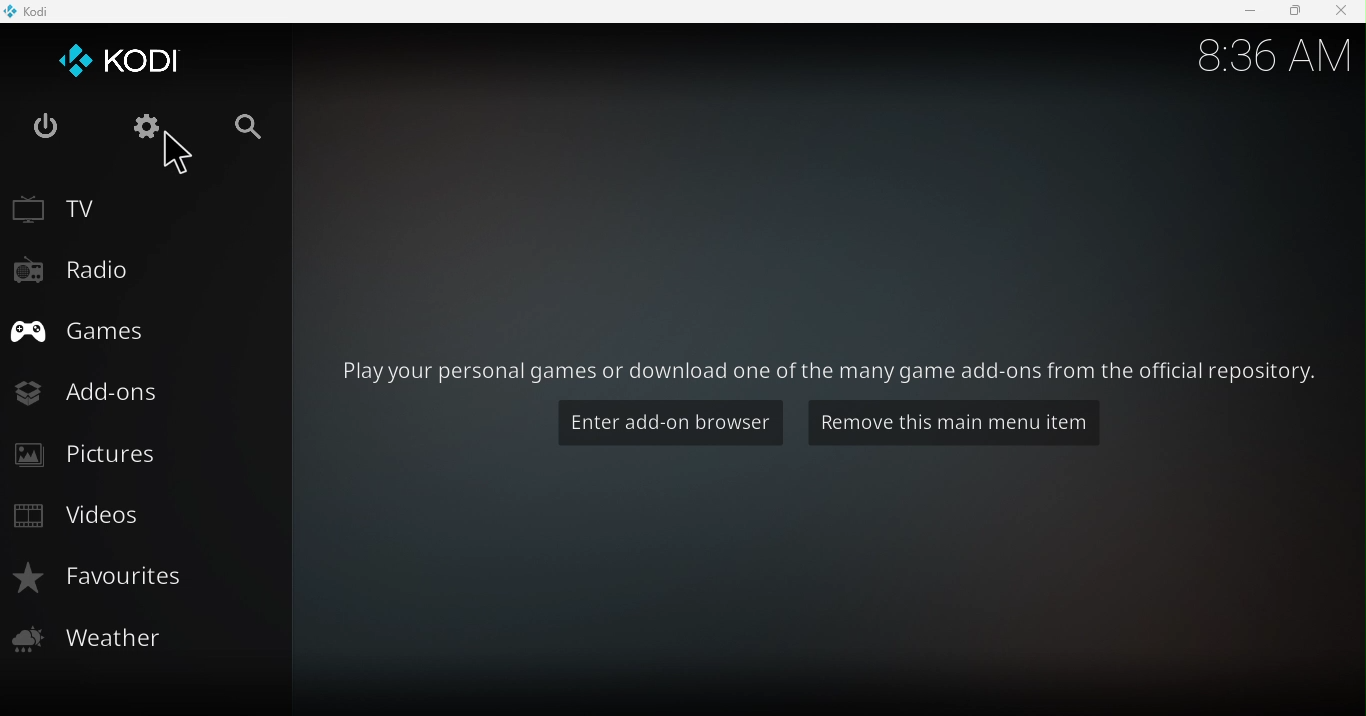 The width and height of the screenshot is (1366, 716). What do you see at coordinates (1242, 12) in the screenshot?
I see `Minimize` at bounding box center [1242, 12].